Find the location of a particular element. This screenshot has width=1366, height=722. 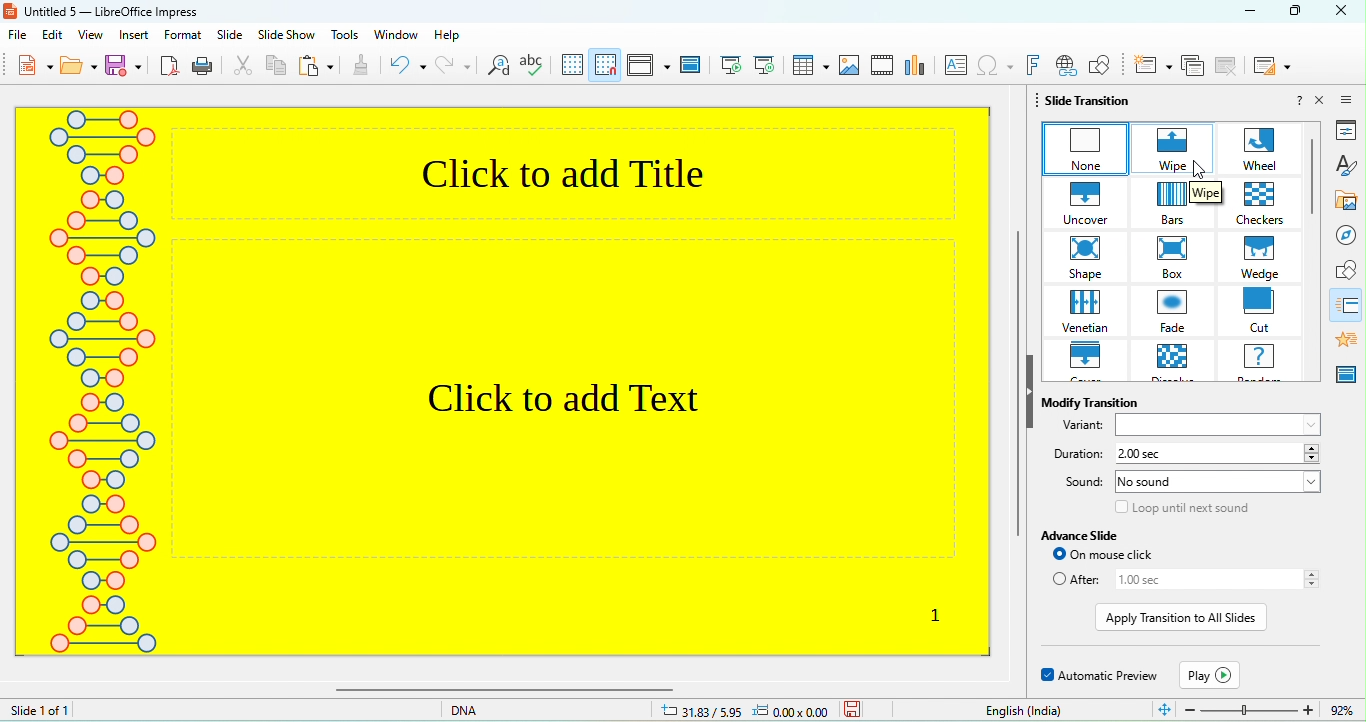

clone formatting is located at coordinates (364, 67).